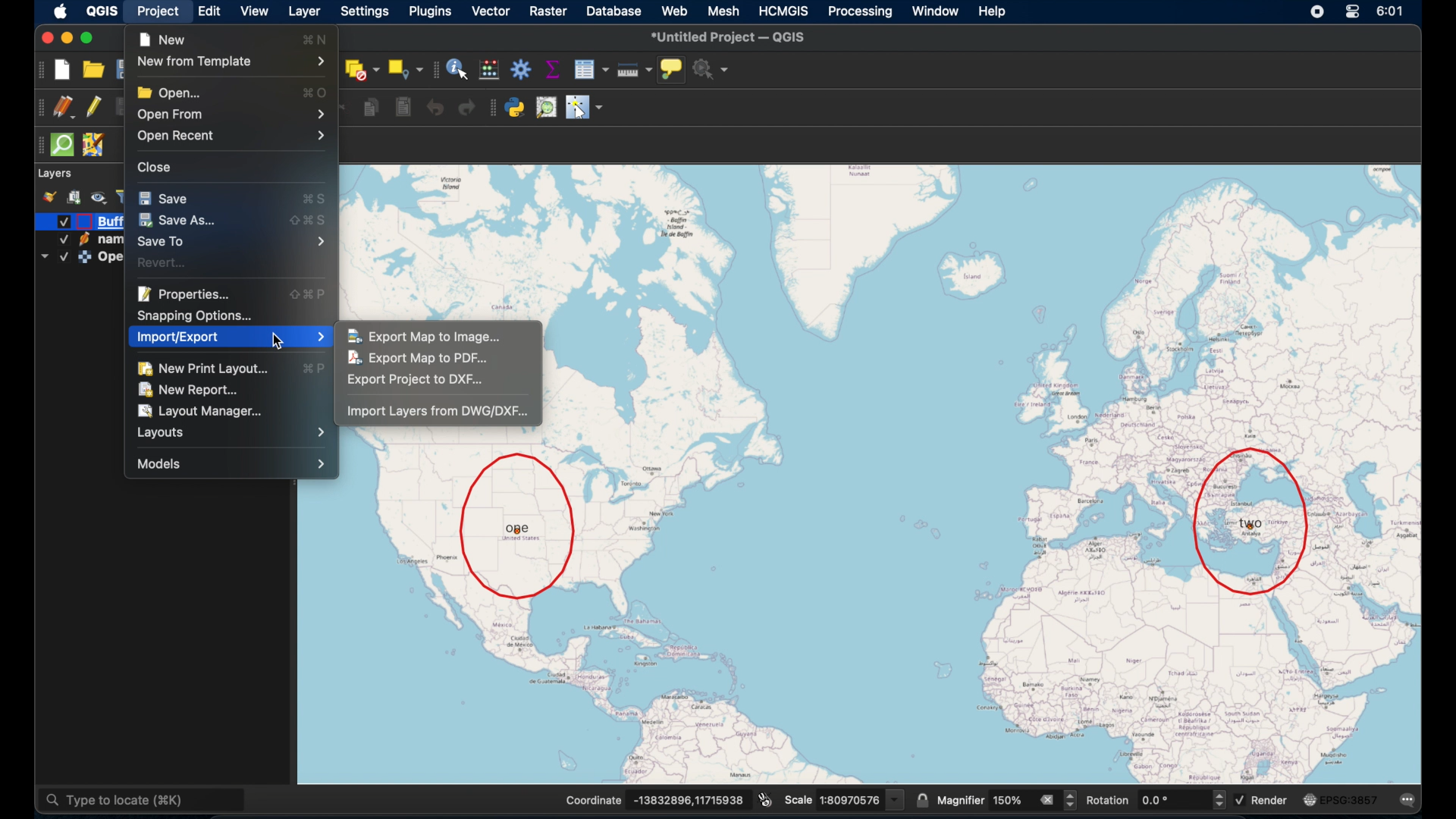  What do you see at coordinates (145, 798) in the screenshot?
I see `type to locate` at bounding box center [145, 798].